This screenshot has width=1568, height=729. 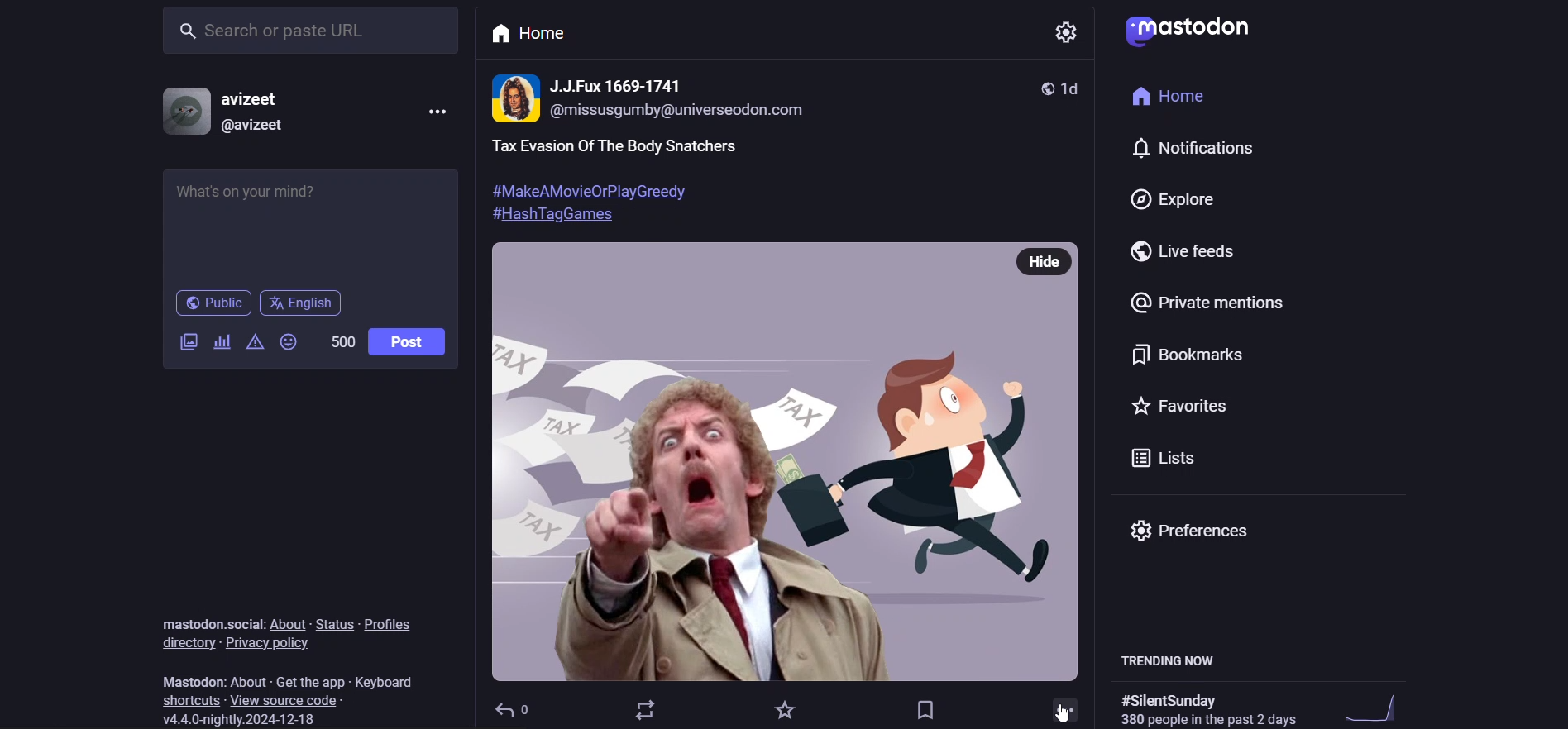 What do you see at coordinates (409, 337) in the screenshot?
I see `post` at bounding box center [409, 337].